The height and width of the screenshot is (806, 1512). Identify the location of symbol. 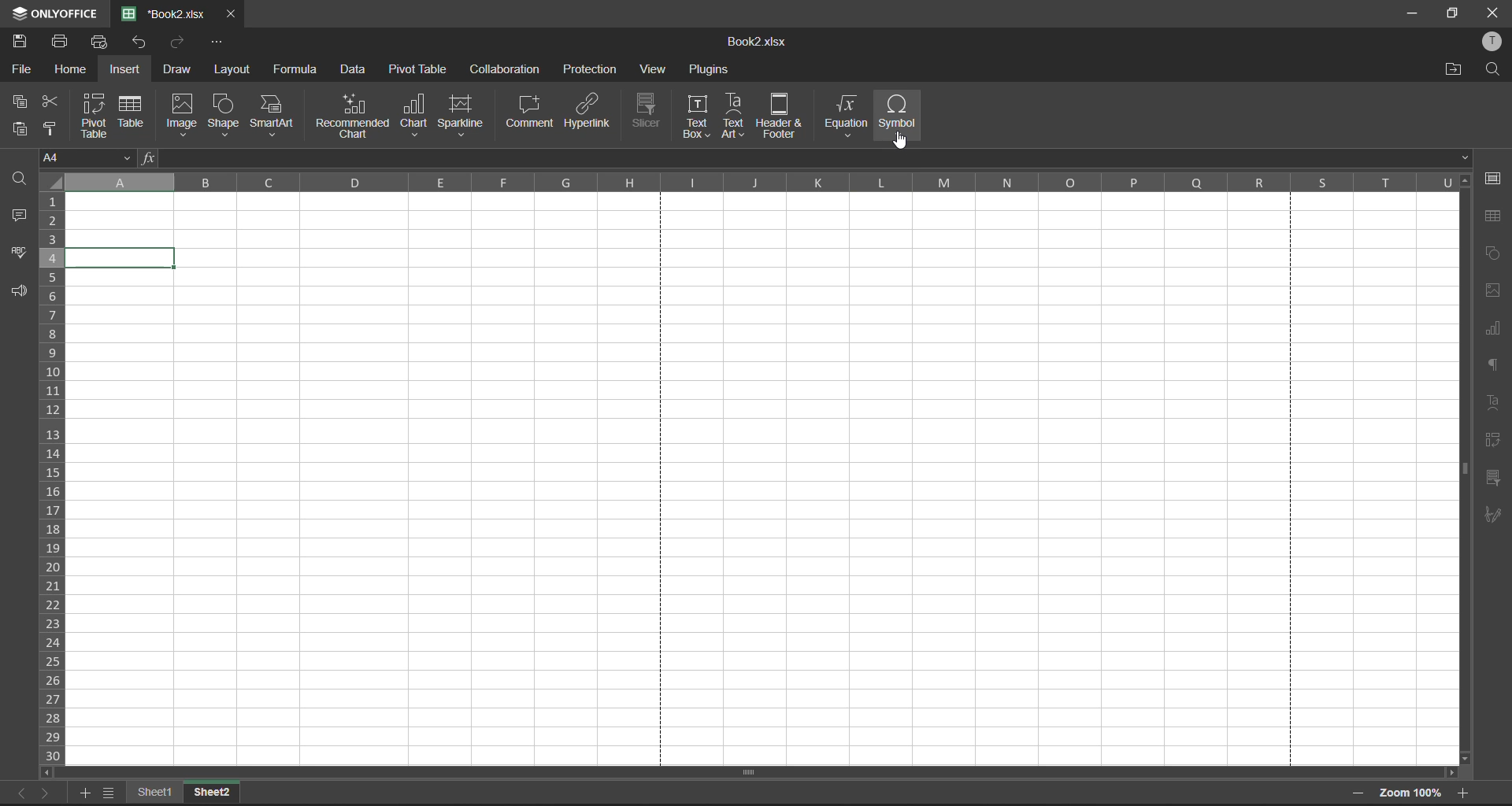
(899, 115).